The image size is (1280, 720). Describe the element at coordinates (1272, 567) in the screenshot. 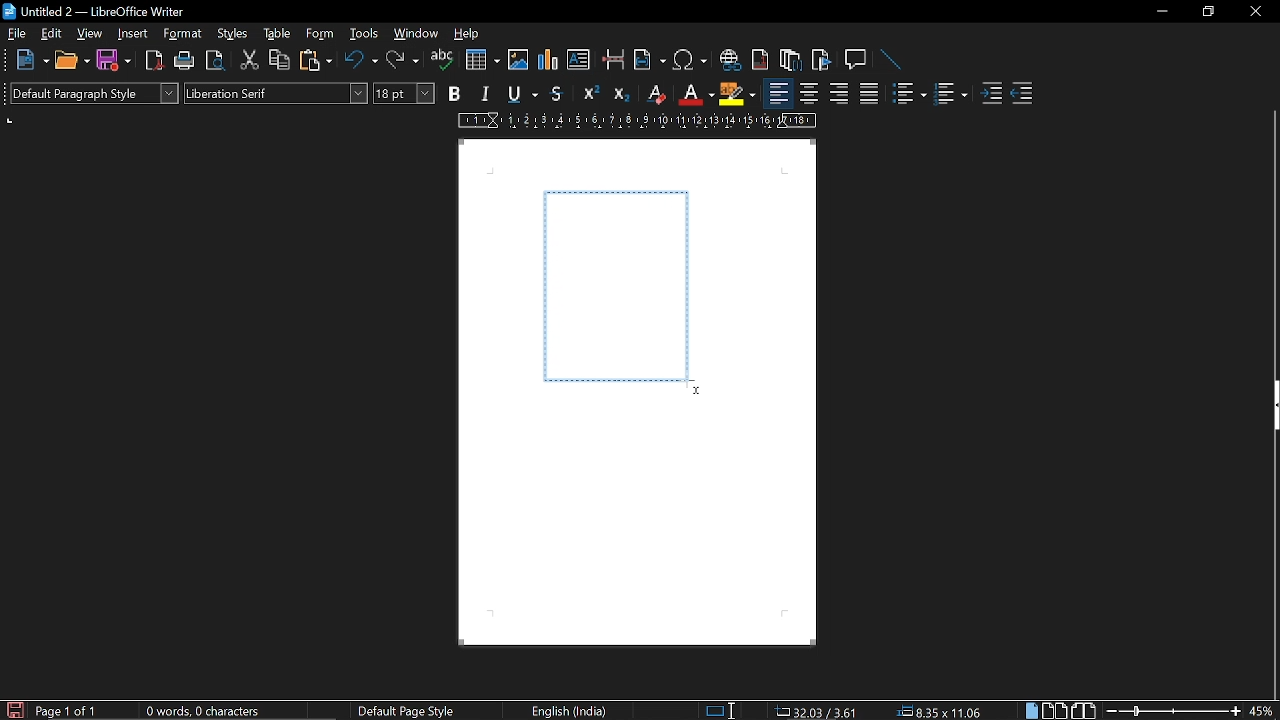

I see `vertical scroll bar` at that location.